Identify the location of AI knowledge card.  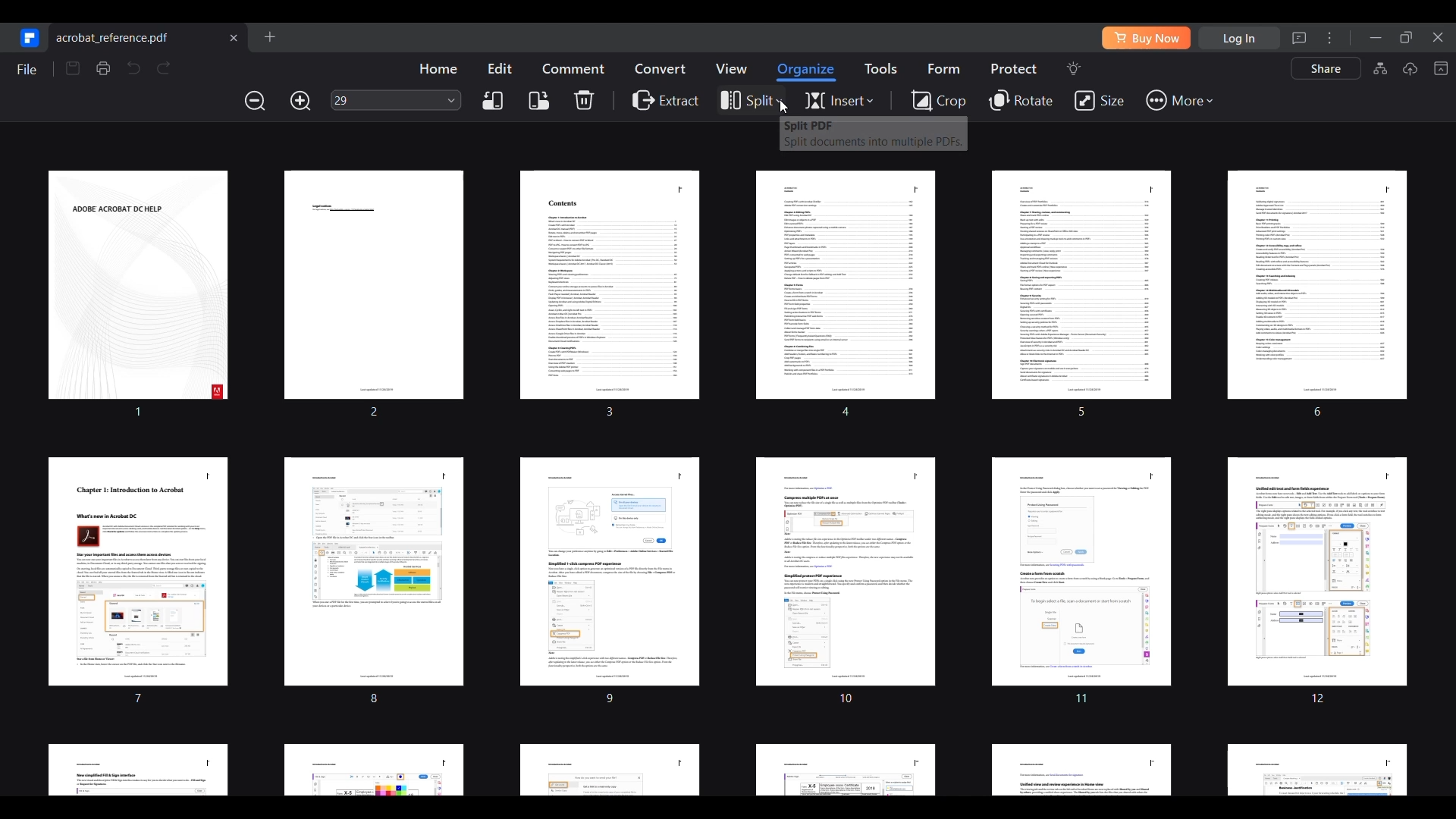
(1380, 68).